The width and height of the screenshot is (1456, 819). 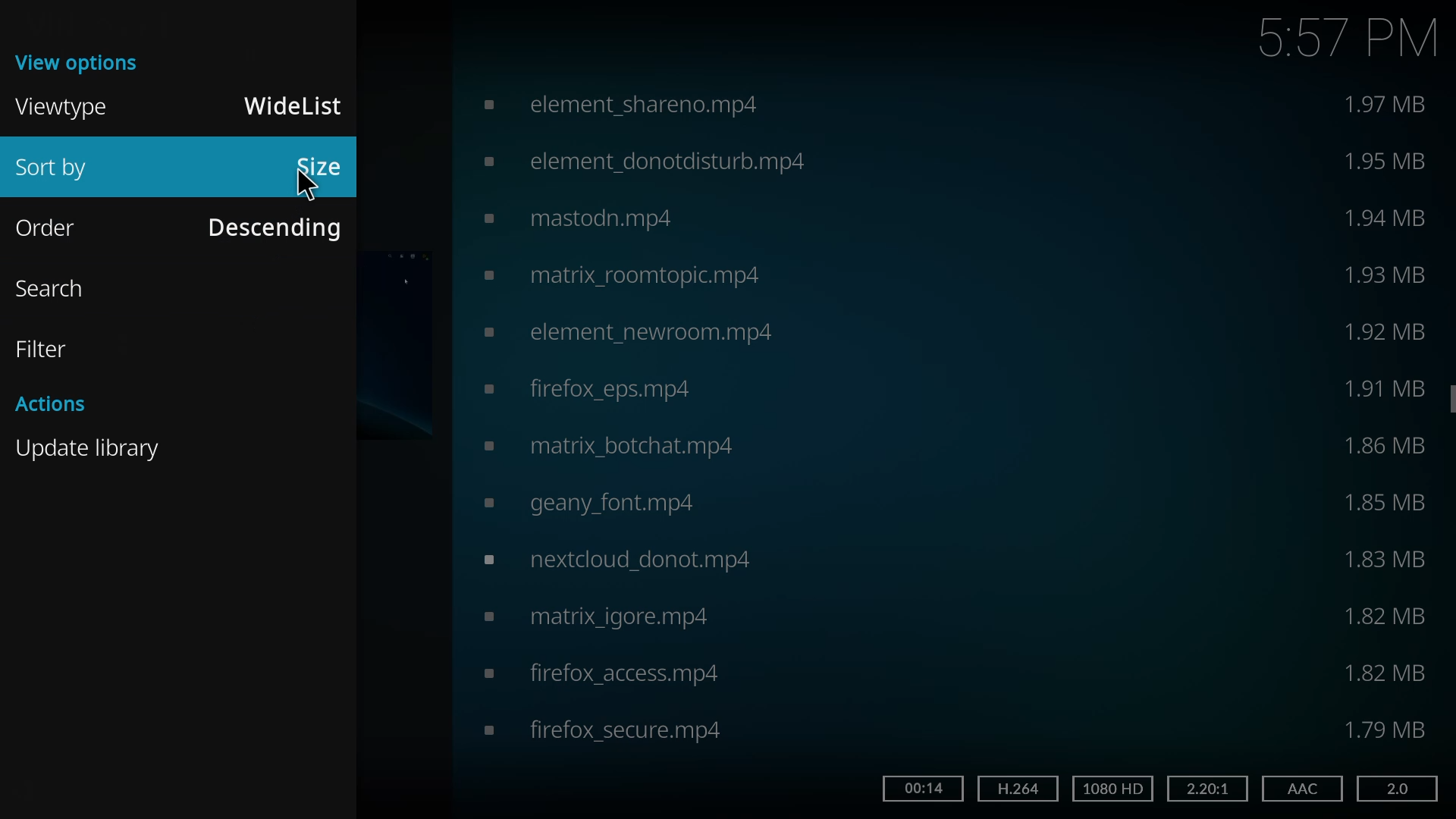 What do you see at coordinates (1452, 397) in the screenshot?
I see `scroll bar` at bounding box center [1452, 397].